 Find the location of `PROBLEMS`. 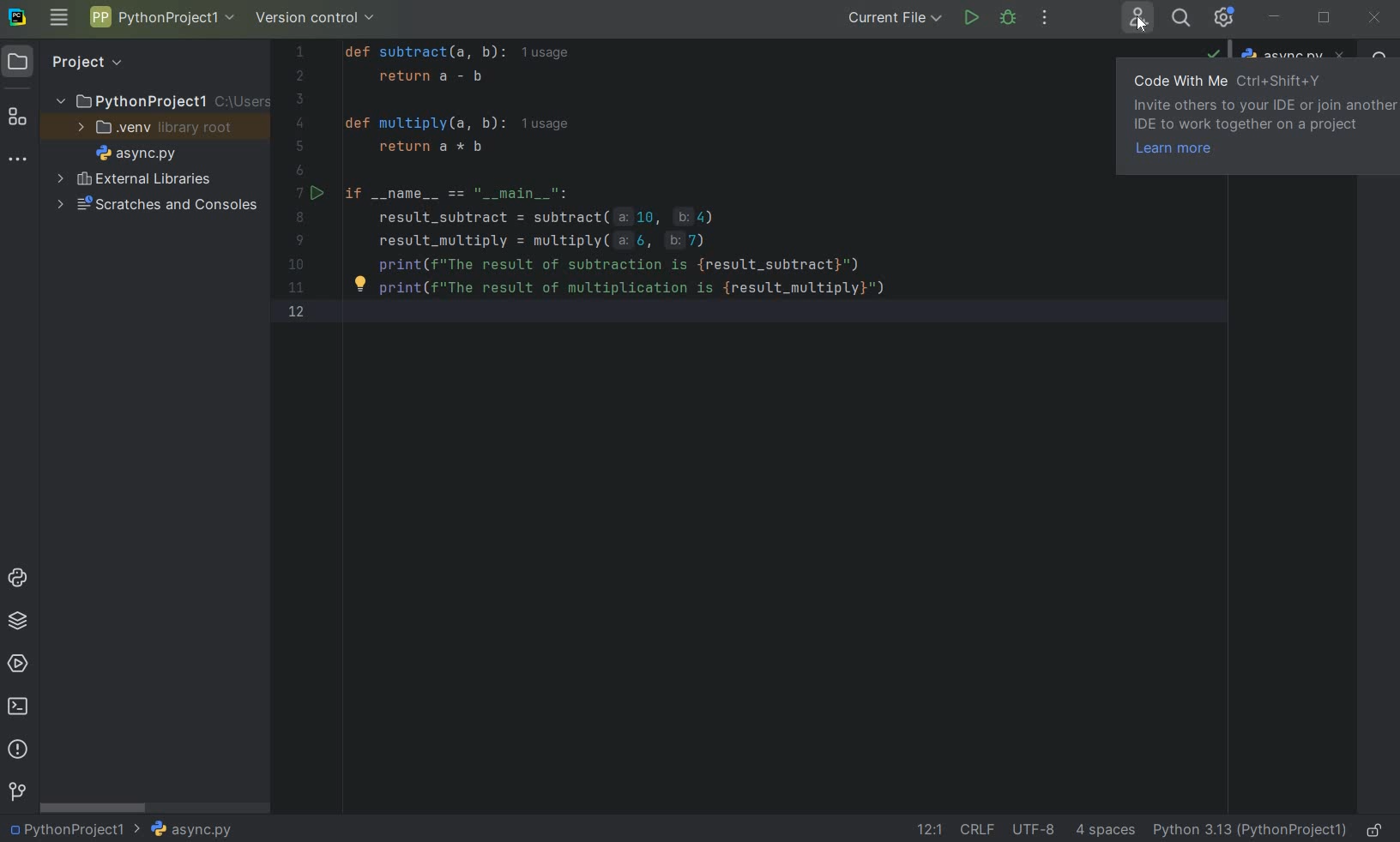

PROBLEMS is located at coordinates (20, 751).